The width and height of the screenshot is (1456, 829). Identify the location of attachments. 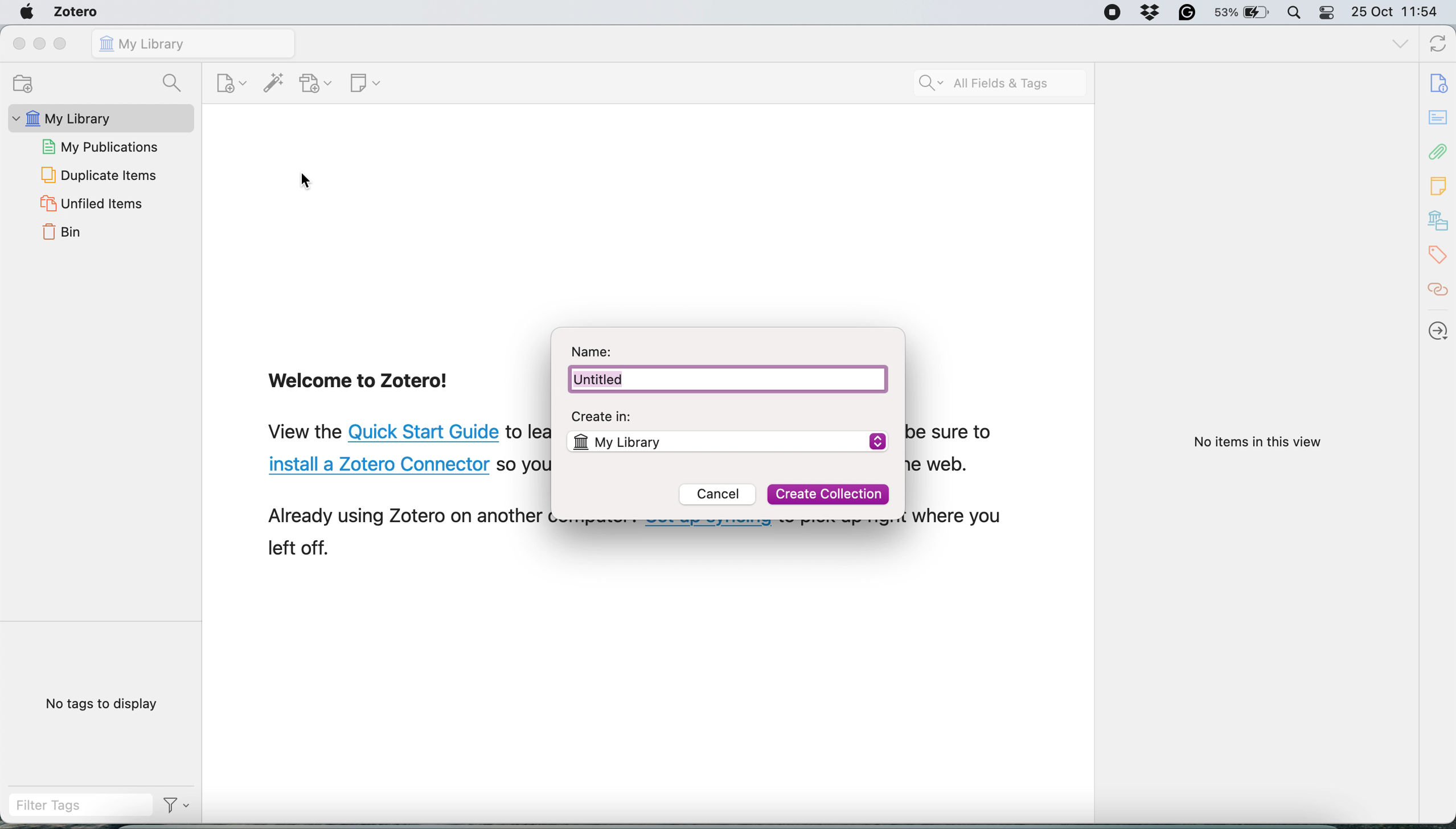
(1438, 153).